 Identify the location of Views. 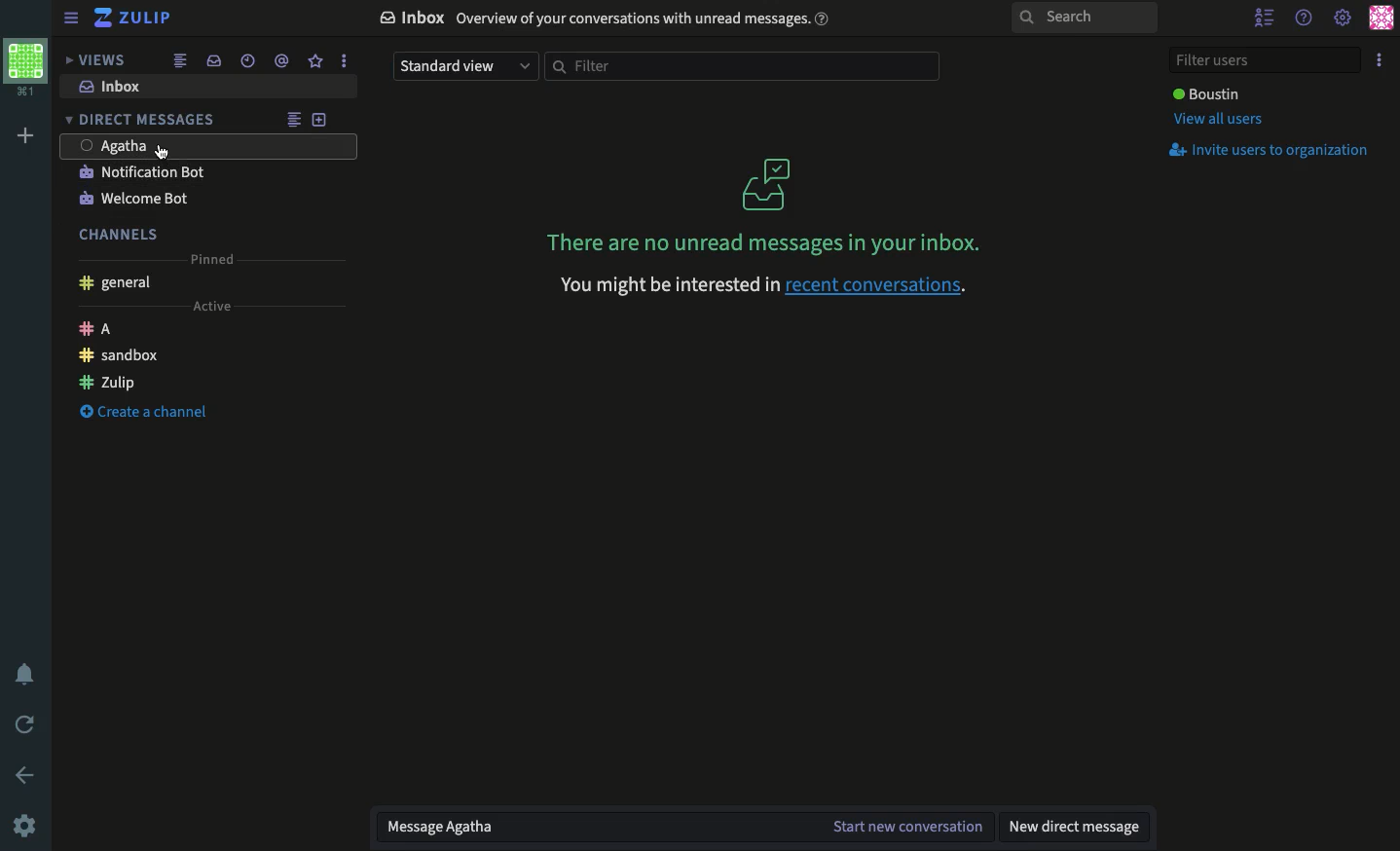
(95, 59).